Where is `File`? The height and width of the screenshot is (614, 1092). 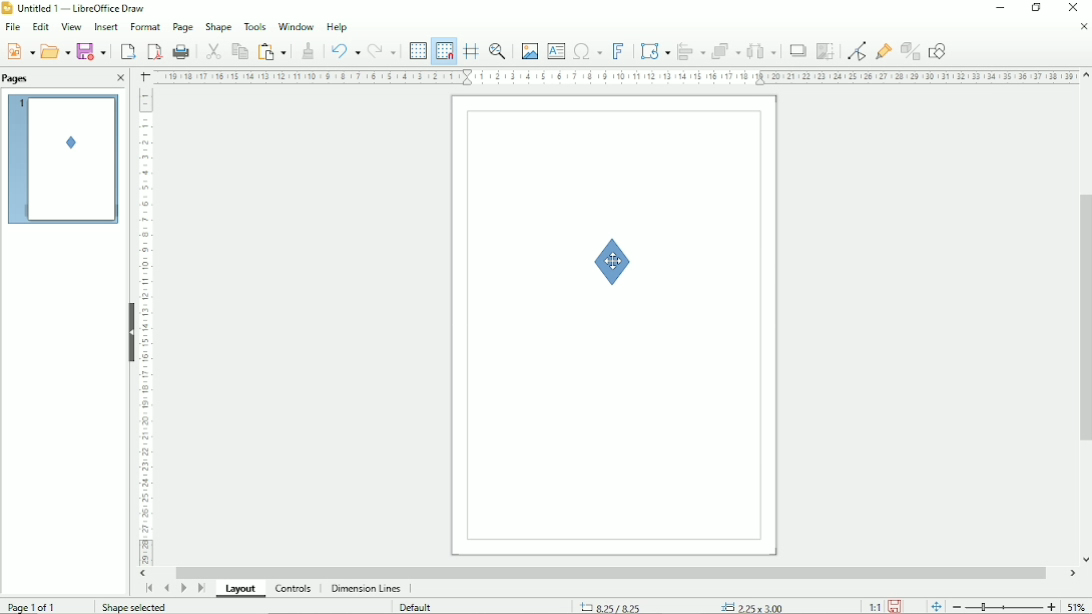
File is located at coordinates (13, 27).